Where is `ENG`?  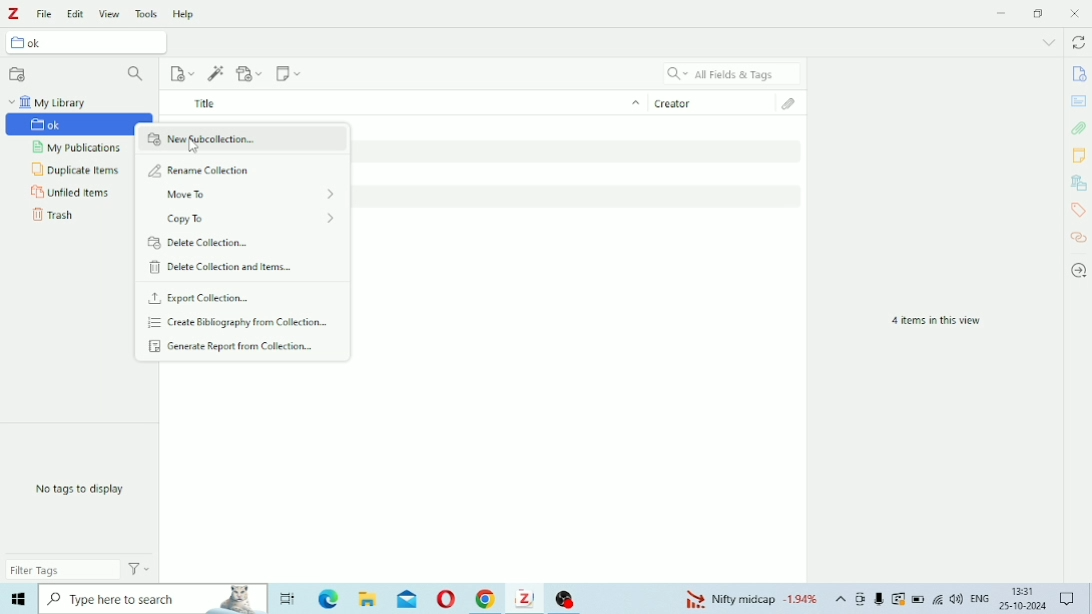 ENG is located at coordinates (979, 597).